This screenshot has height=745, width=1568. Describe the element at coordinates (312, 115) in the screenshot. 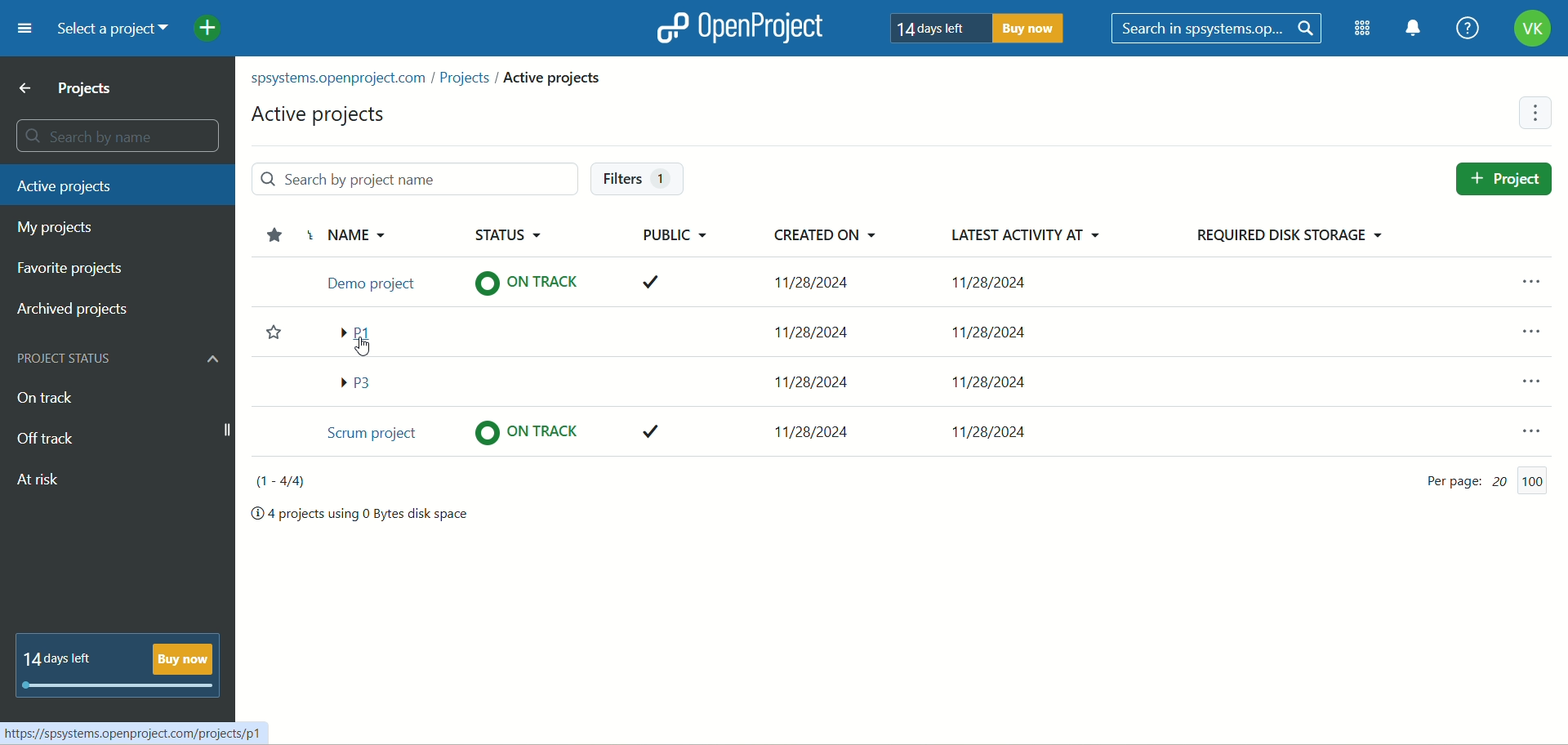

I see `active projects` at that location.